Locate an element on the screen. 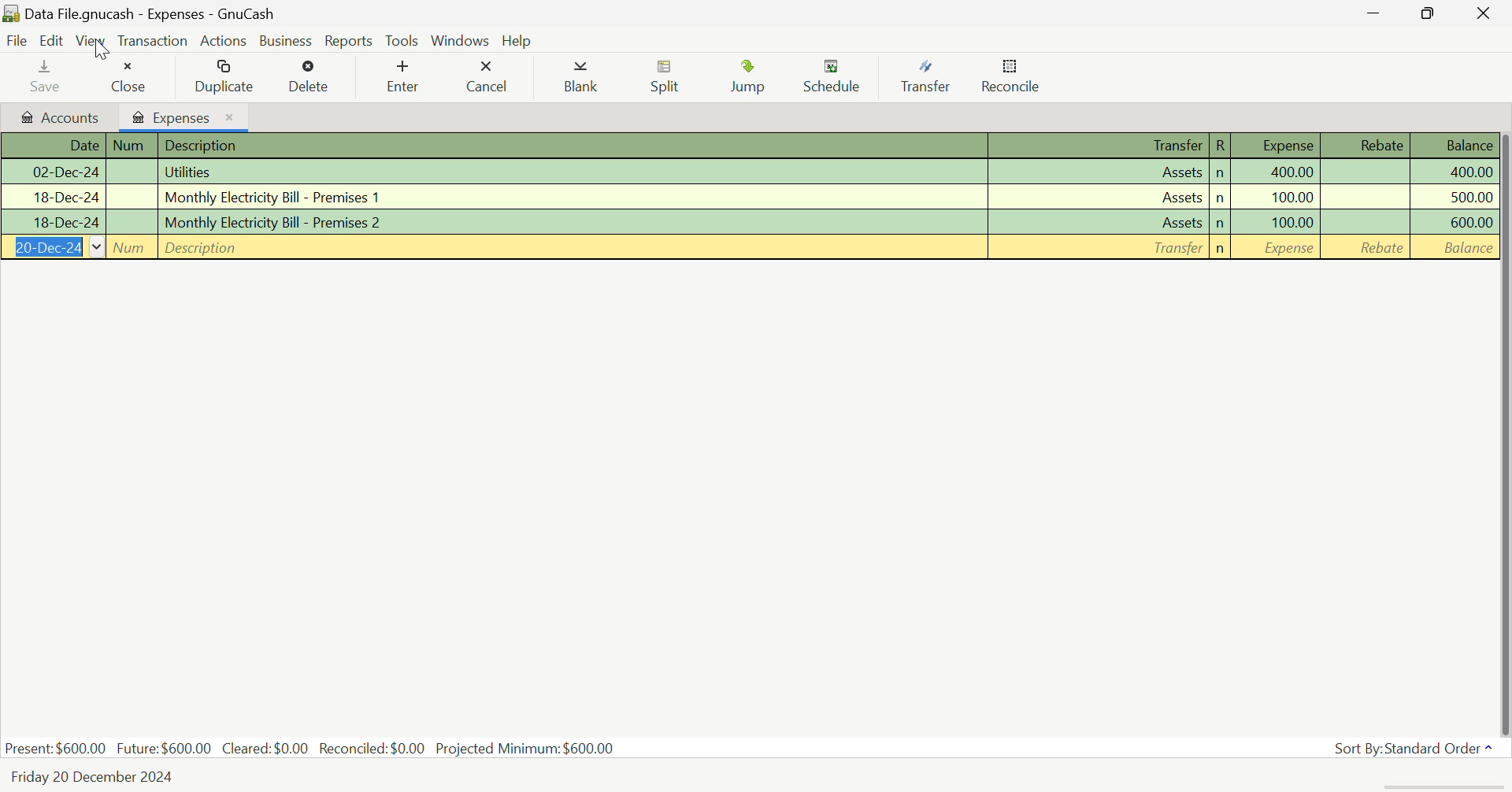 This screenshot has width=1512, height=792. Assets is located at coordinates (1098, 196).